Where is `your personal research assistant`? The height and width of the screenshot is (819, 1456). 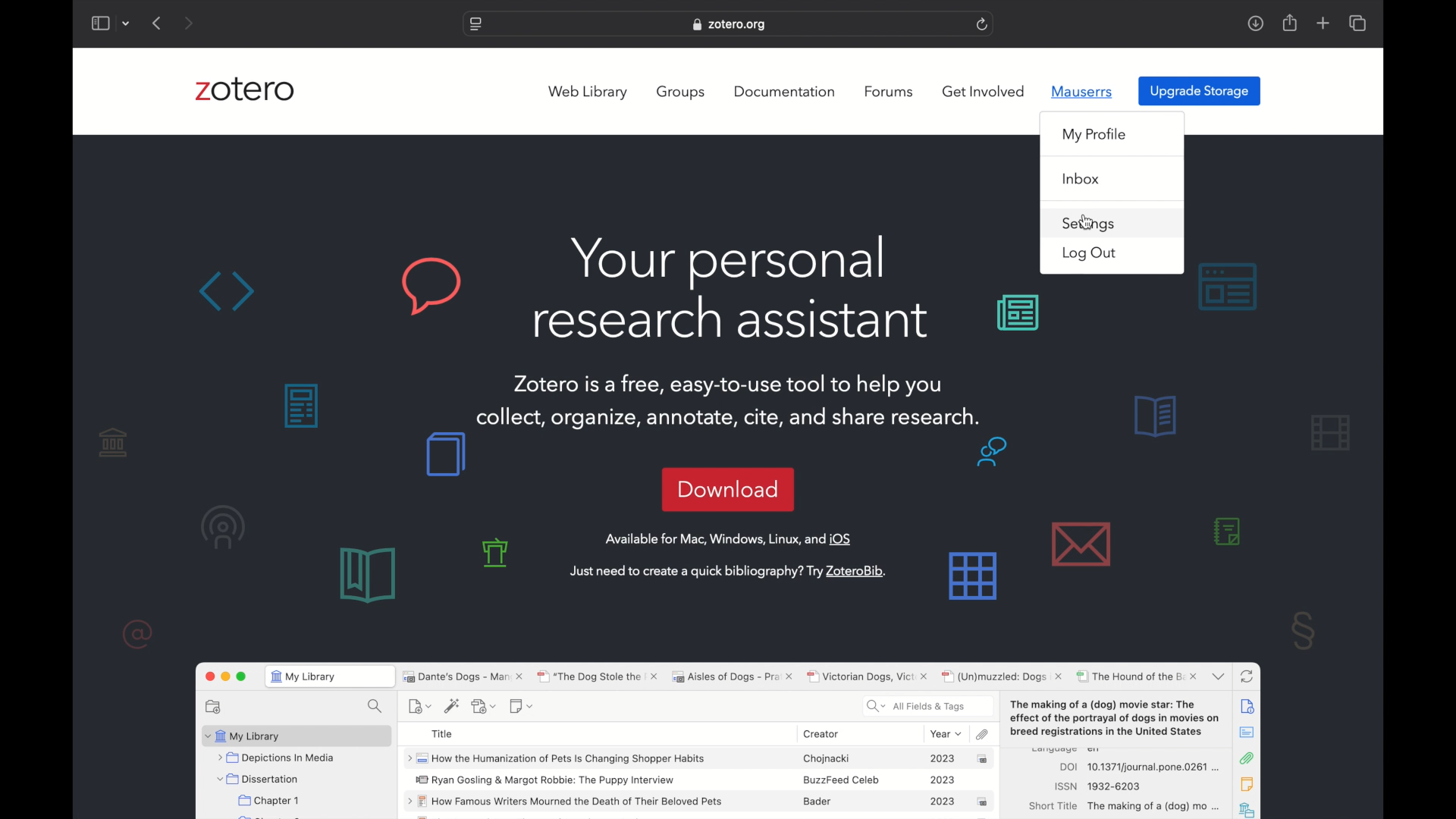 your personal research assistant is located at coordinates (732, 288).